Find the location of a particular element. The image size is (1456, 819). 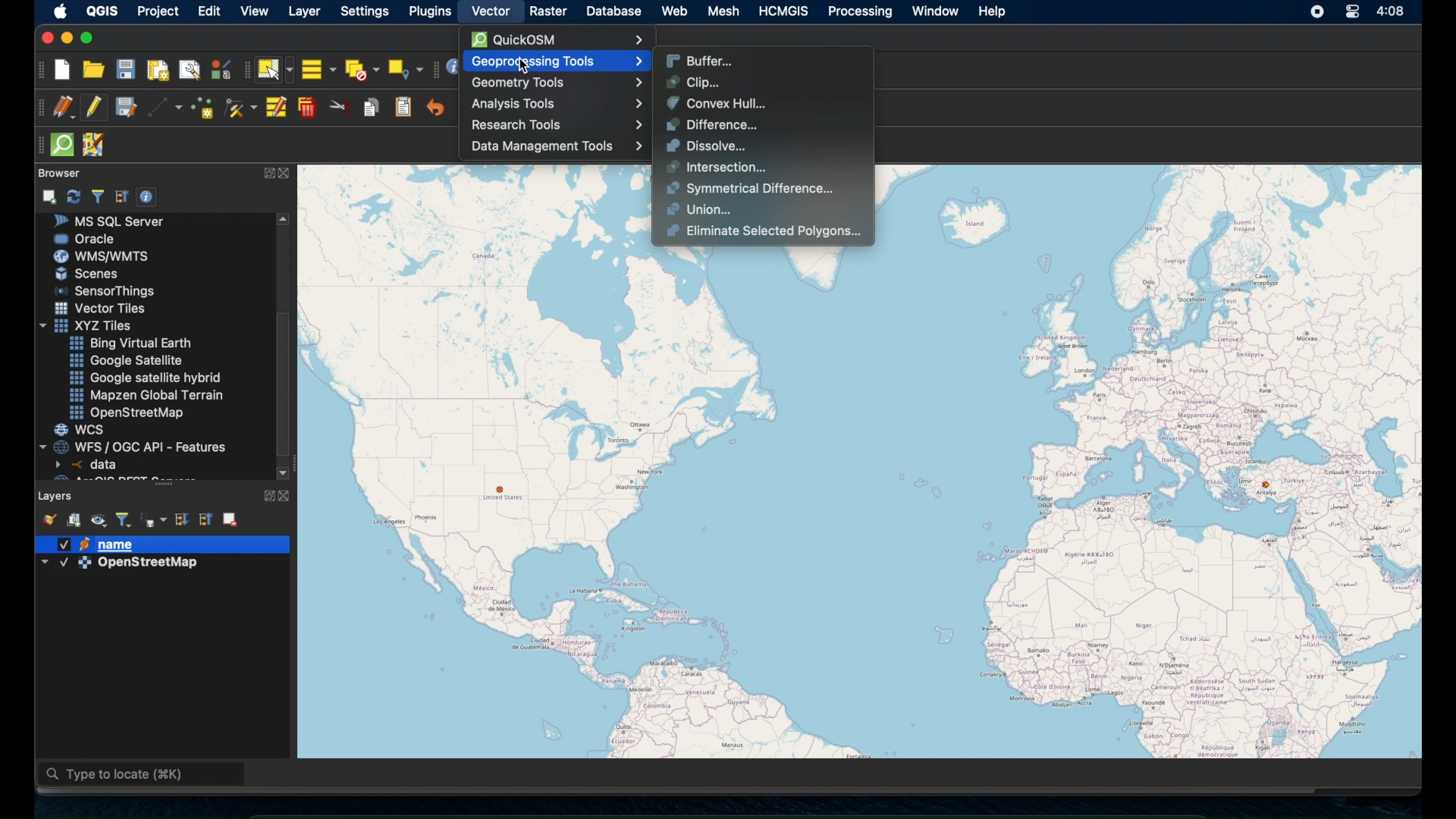

copy features is located at coordinates (371, 106).